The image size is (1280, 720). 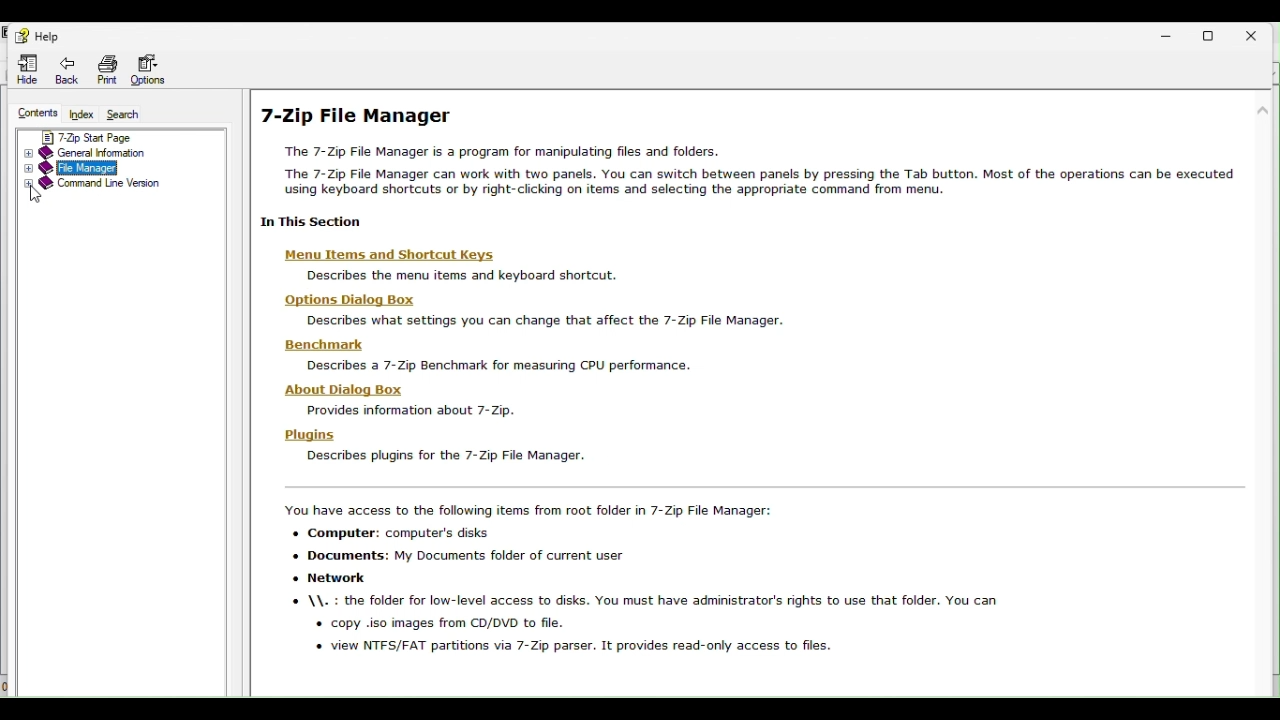 What do you see at coordinates (448, 456) in the screenshot?
I see `Describes plugins for the 7-Zip File Manager.` at bounding box center [448, 456].